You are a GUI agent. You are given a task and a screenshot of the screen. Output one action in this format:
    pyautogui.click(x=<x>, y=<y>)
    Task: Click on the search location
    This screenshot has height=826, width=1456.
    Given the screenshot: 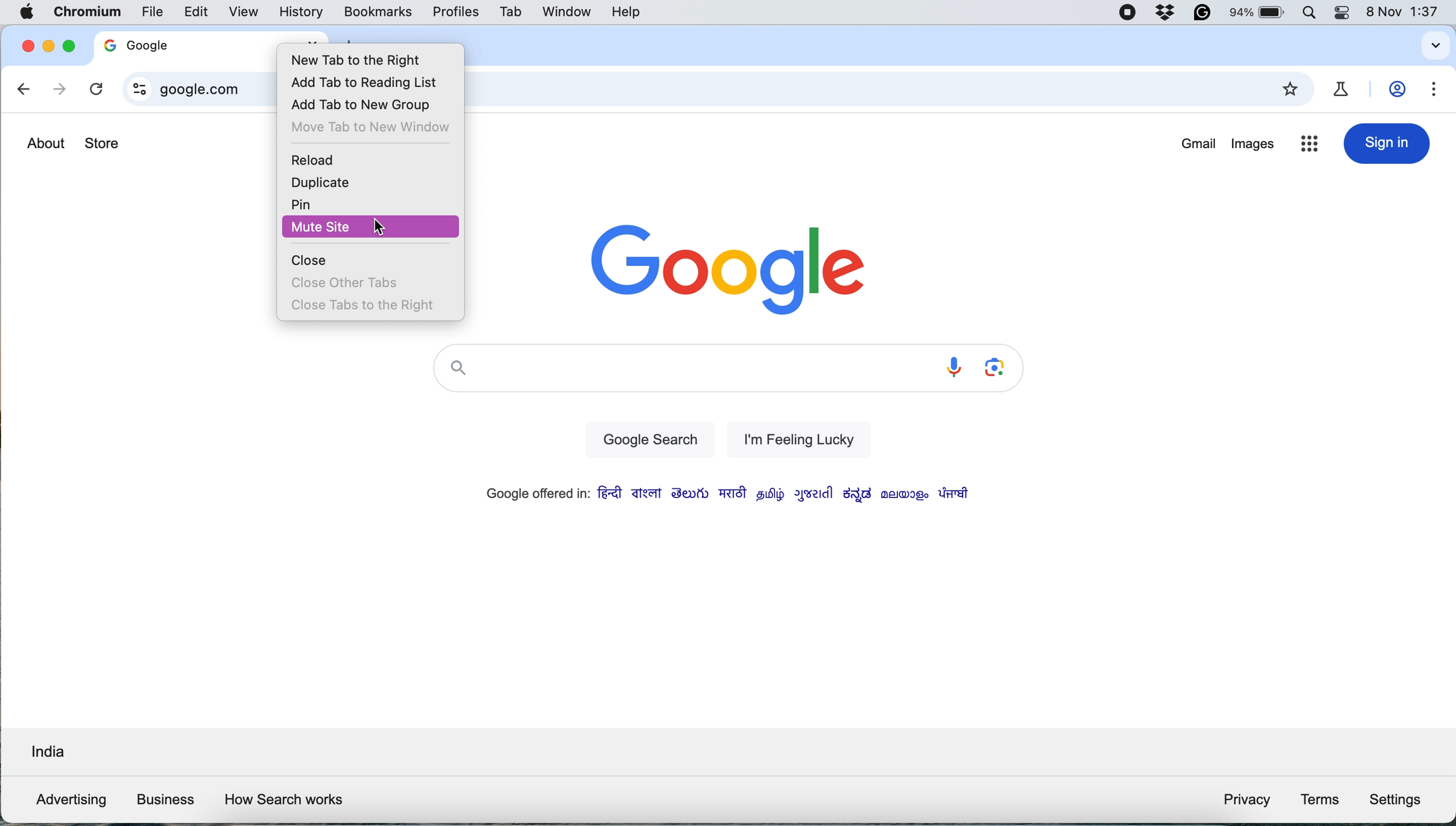 What is the action you would take?
    pyautogui.click(x=46, y=754)
    